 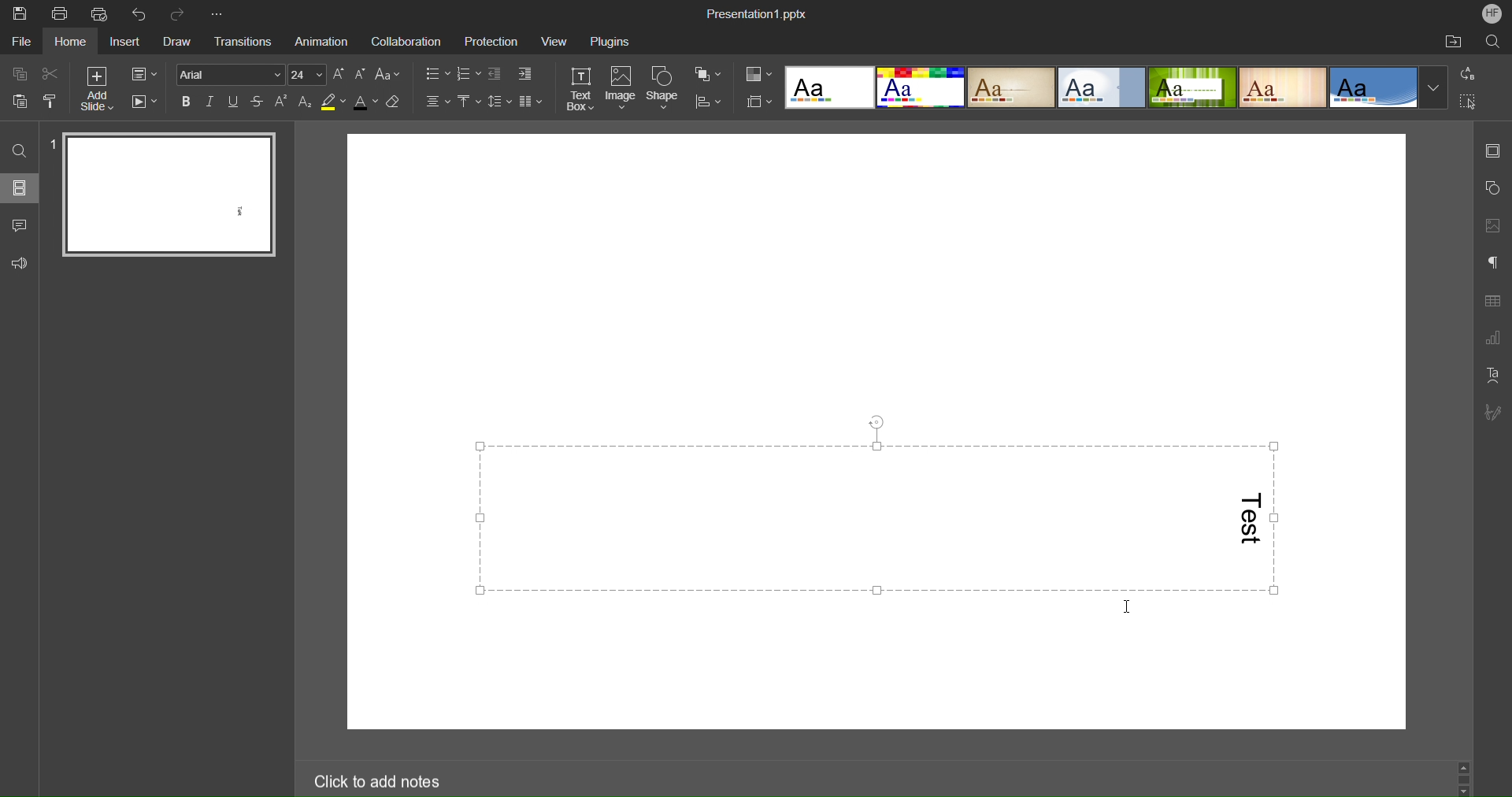 I want to click on Replace, so click(x=1469, y=75).